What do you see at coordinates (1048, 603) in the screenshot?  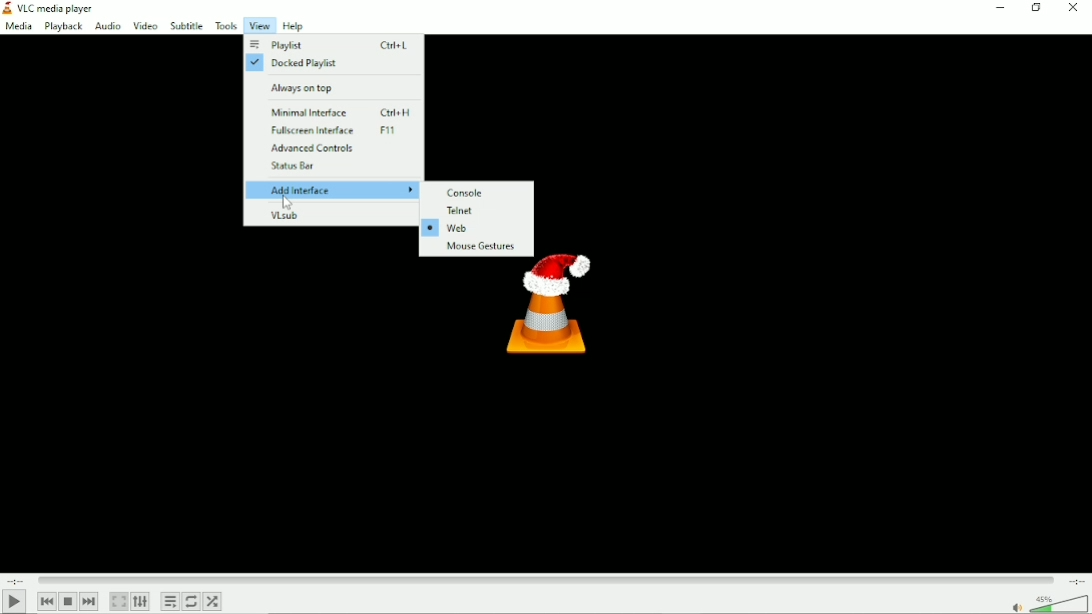 I see `Volume` at bounding box center [1048, 603].